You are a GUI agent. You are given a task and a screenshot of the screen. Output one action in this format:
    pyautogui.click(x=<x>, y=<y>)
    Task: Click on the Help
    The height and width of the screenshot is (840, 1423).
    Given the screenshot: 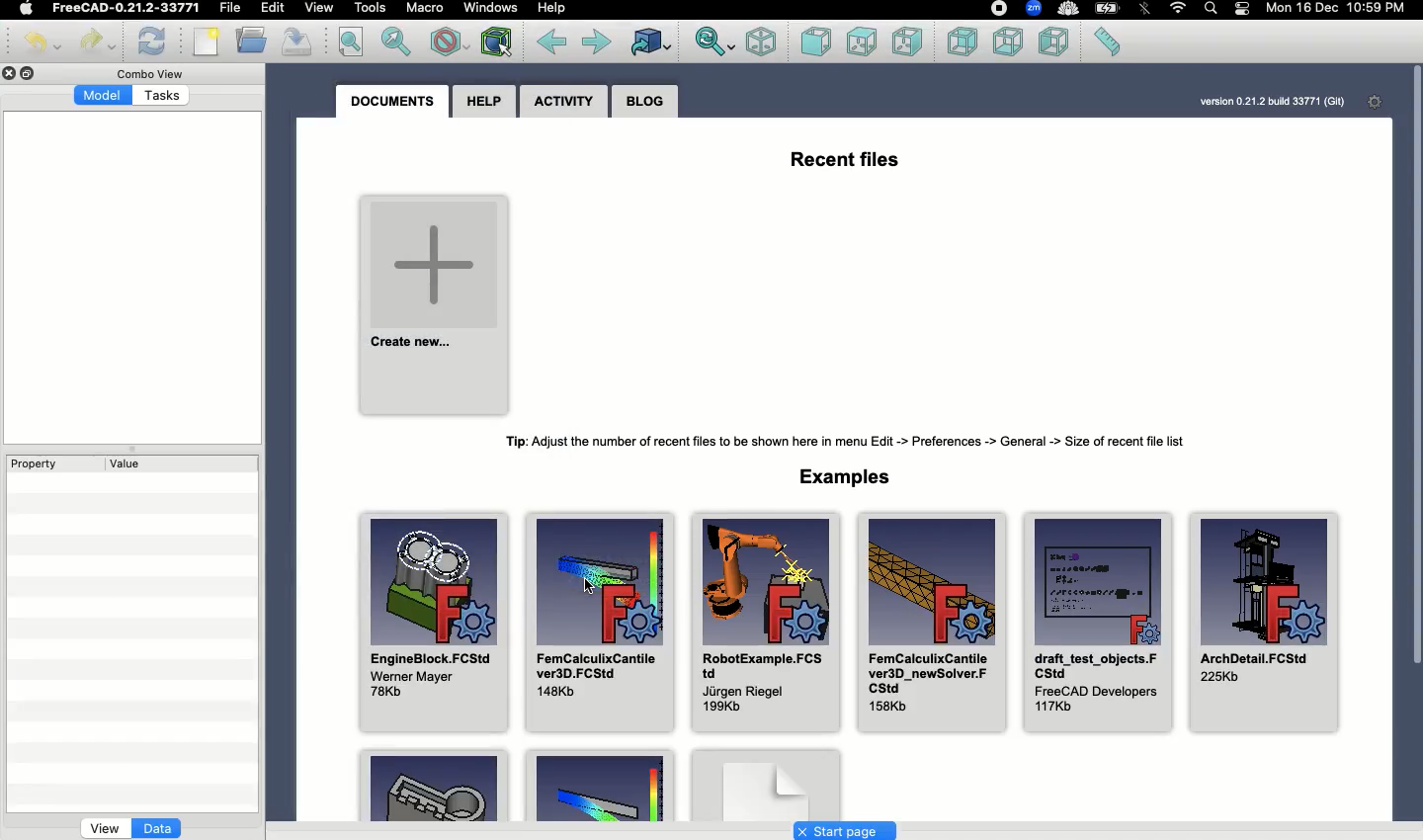 What is the action you would take?
    pyautogui.click(x=481, y=102)
    